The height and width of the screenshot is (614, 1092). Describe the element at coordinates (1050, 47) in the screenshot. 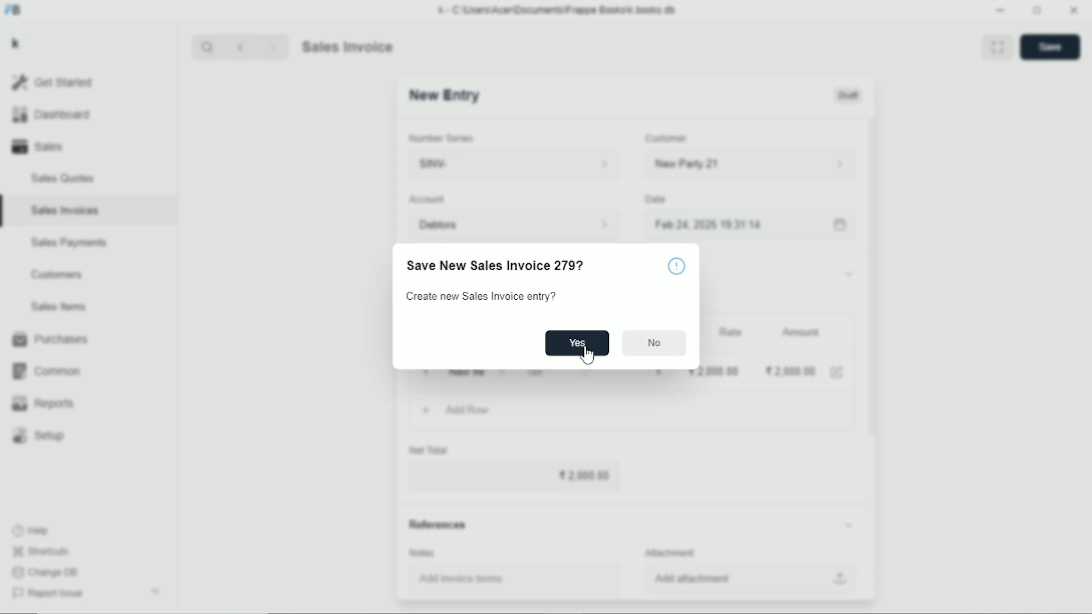

I see `Save` at that location.